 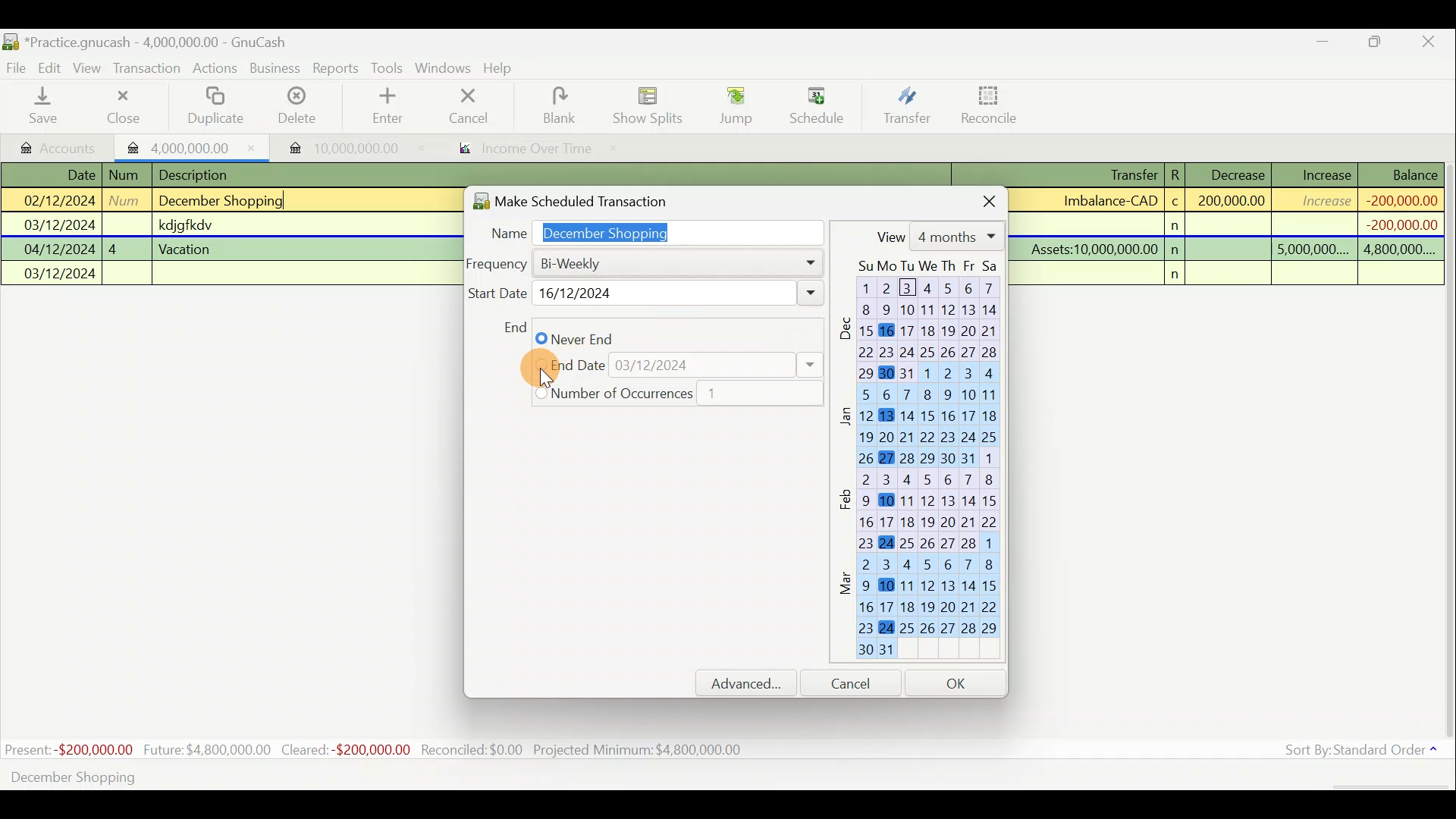 What do you see at coordinates (557, 106) in the screenshot?
I see `Blank` at bounding box center [557, 106].